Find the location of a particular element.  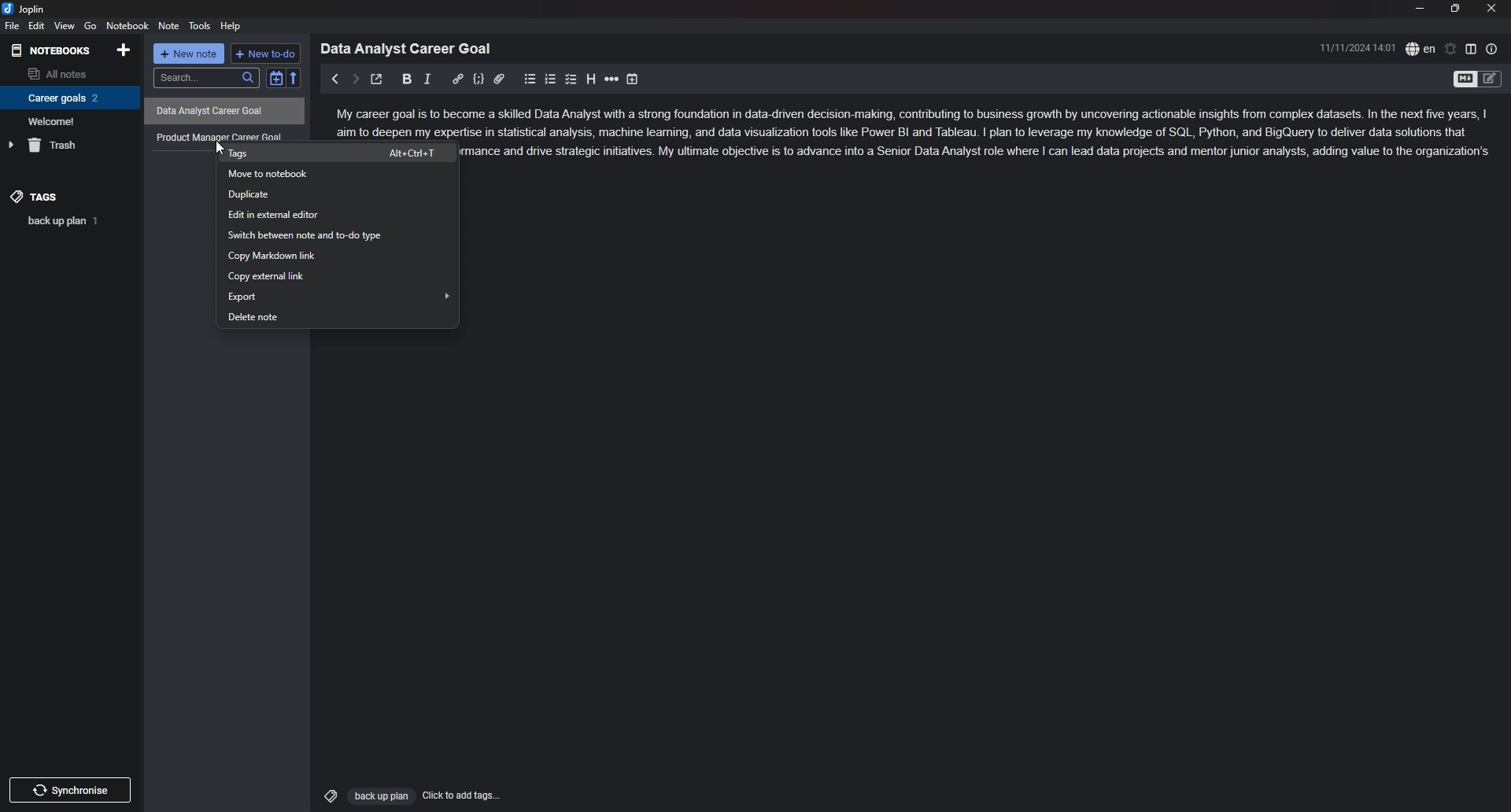

toggle sort order is located at coordinates (275, 78).